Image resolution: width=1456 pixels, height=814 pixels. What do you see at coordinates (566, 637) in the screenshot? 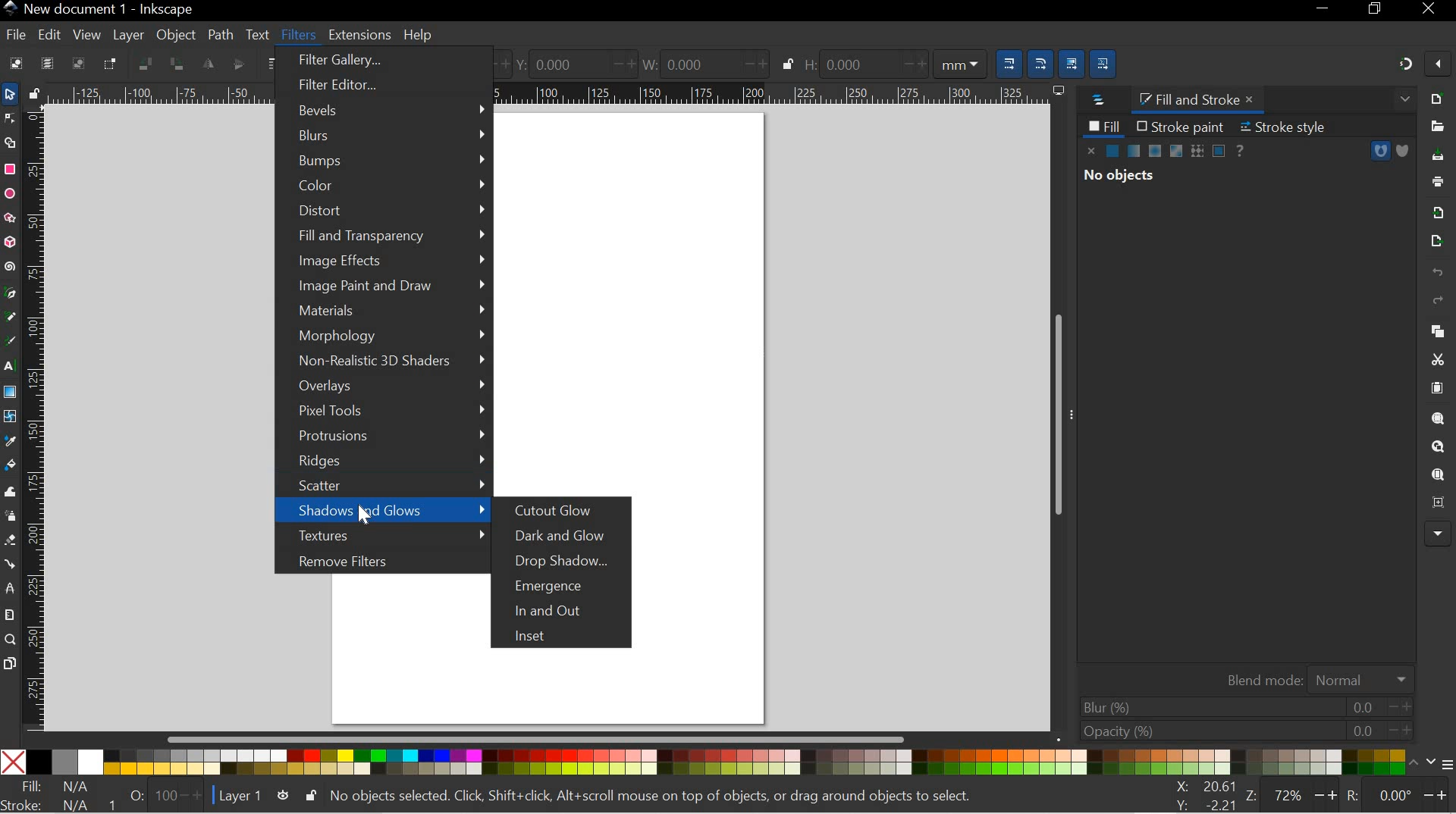
I see `INSERT` at bounding box center [566, 637].